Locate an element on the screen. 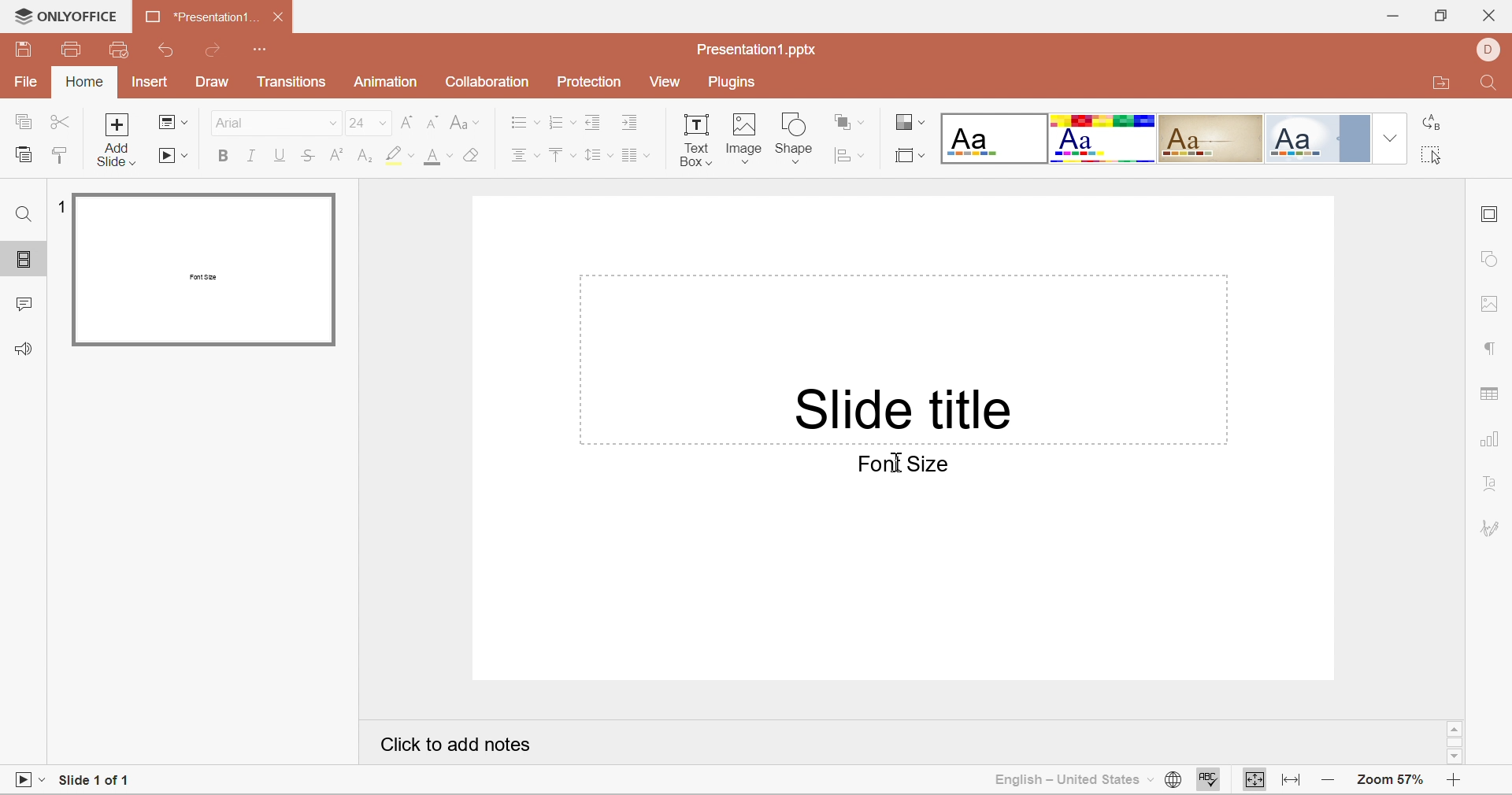 This screenshot has height=795, width=1512. Find is located at coordinates (25, 212).